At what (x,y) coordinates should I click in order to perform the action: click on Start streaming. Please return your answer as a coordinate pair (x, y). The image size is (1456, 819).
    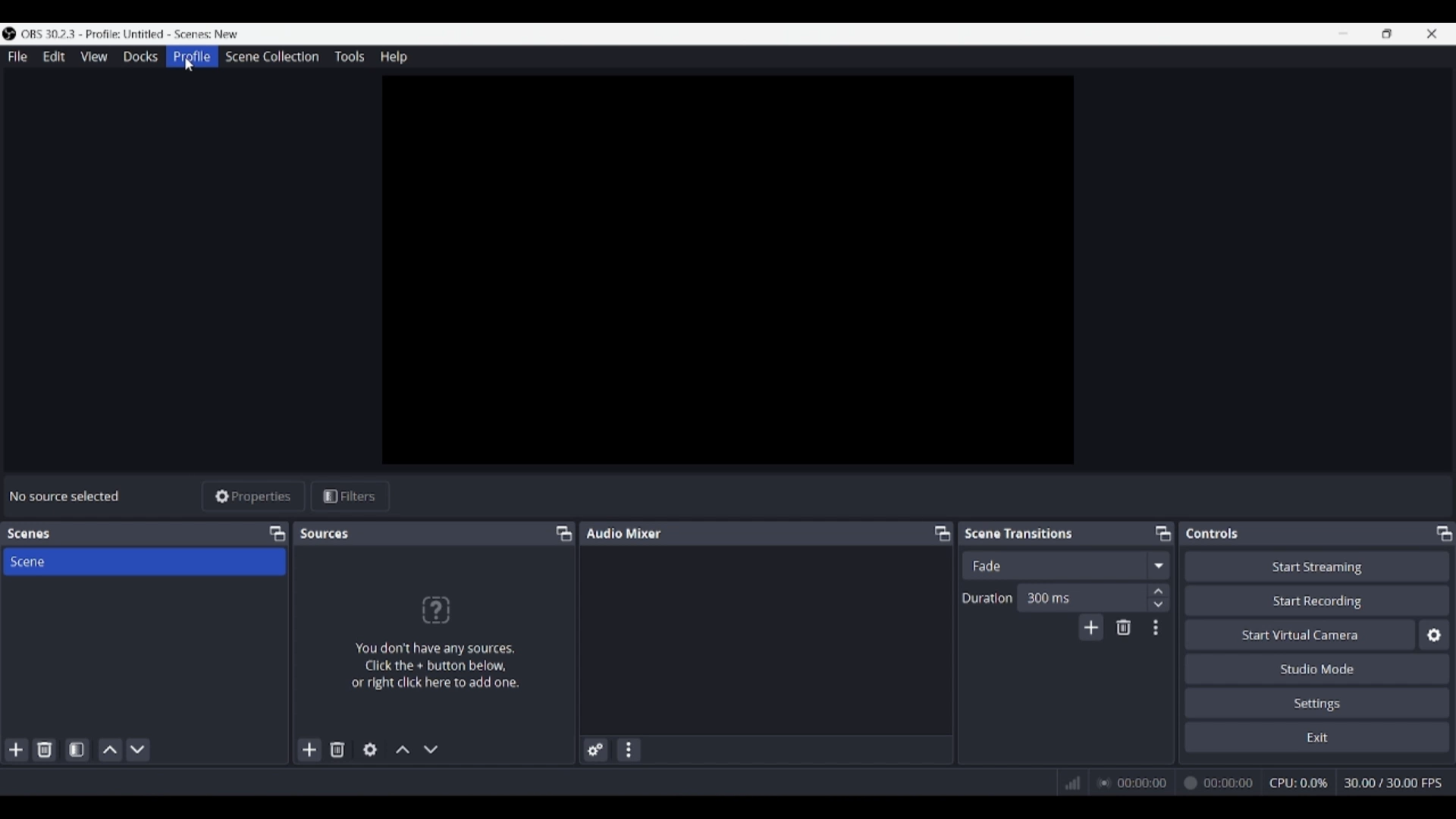
    Looking at the image, I should click on (1318, 566).